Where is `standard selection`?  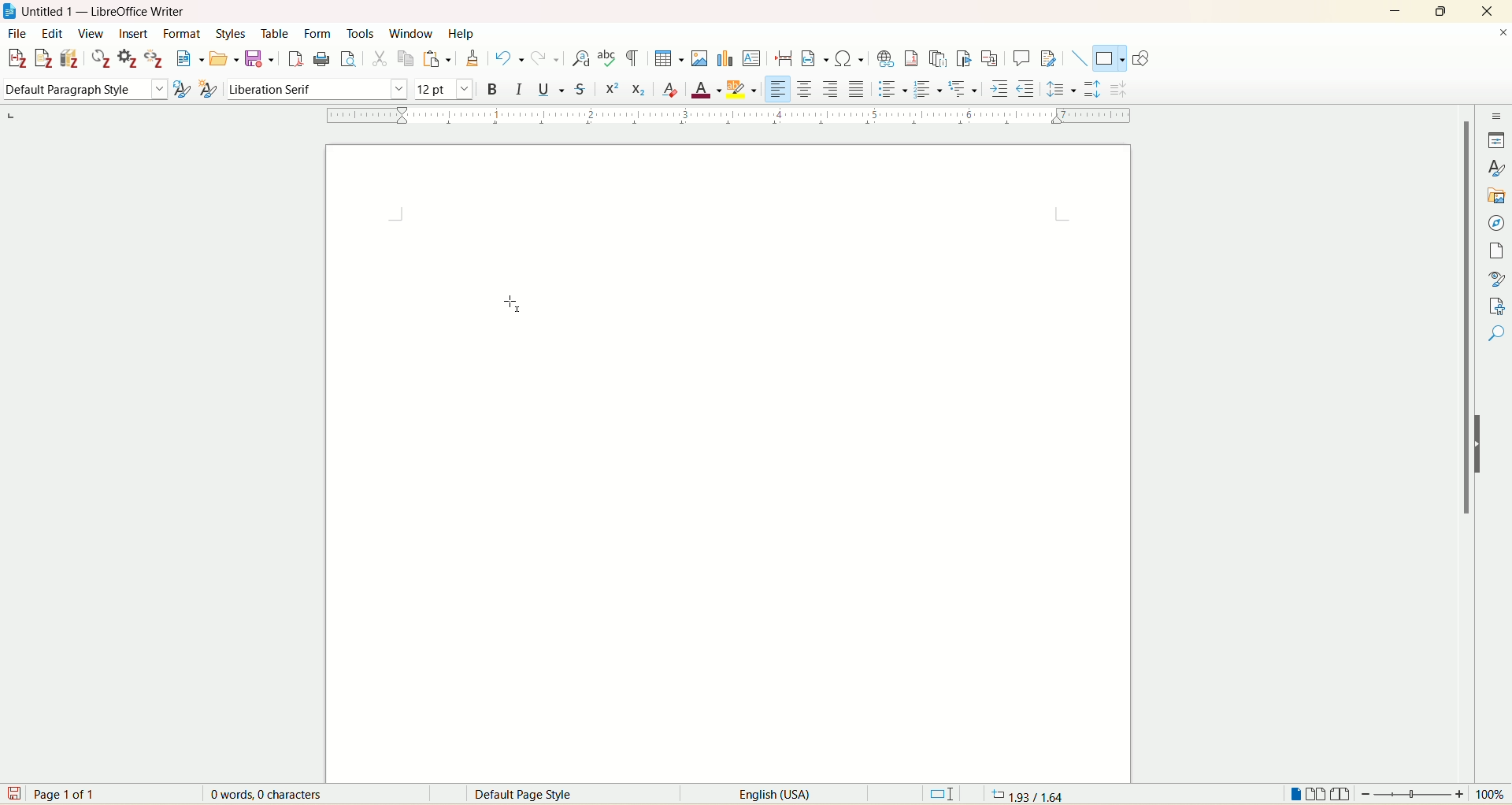
standard selection is located at coordinates (943, 793).